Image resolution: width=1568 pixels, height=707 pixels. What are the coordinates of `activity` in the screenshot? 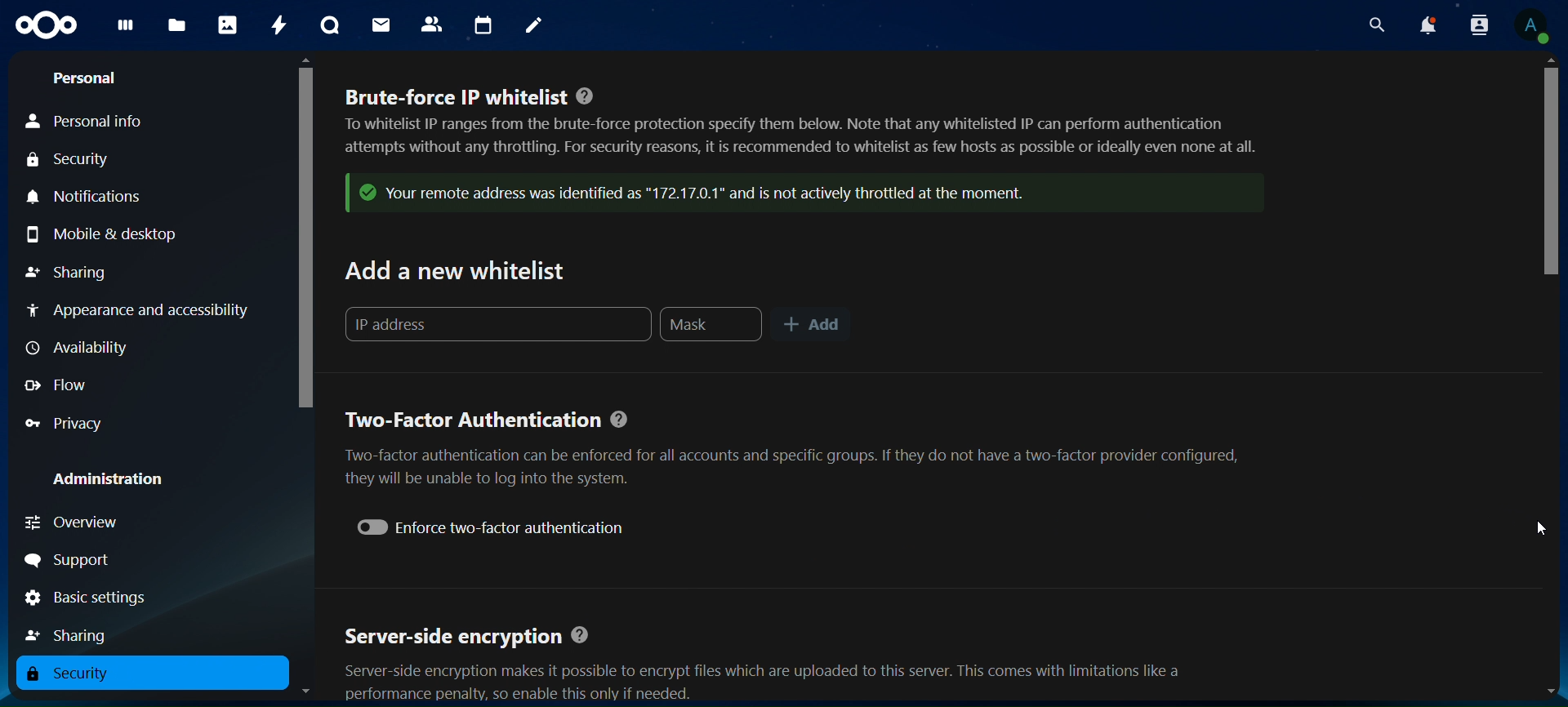 It's located at (278, 24).